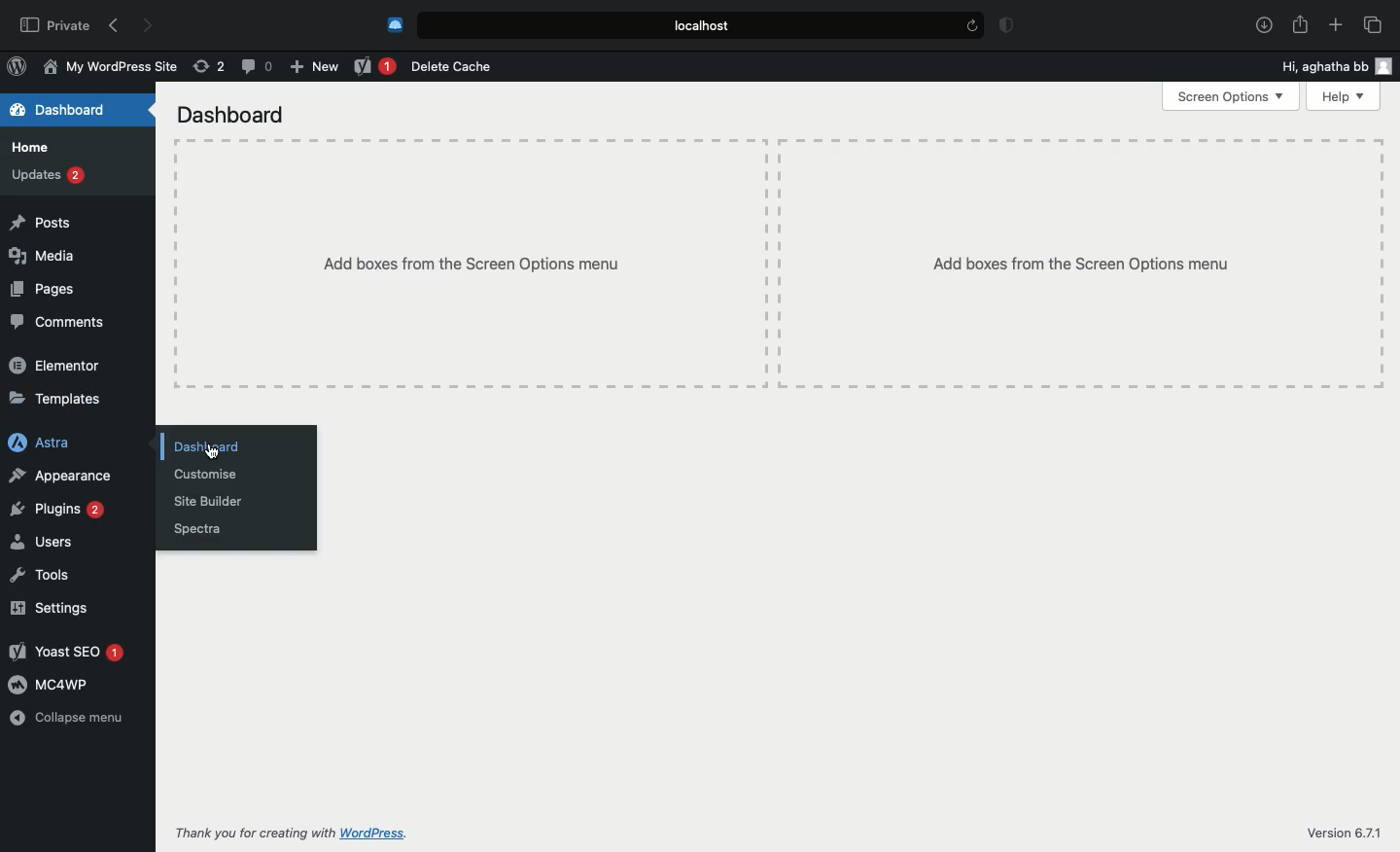  I want to click on Spectra, so click(201, 530).